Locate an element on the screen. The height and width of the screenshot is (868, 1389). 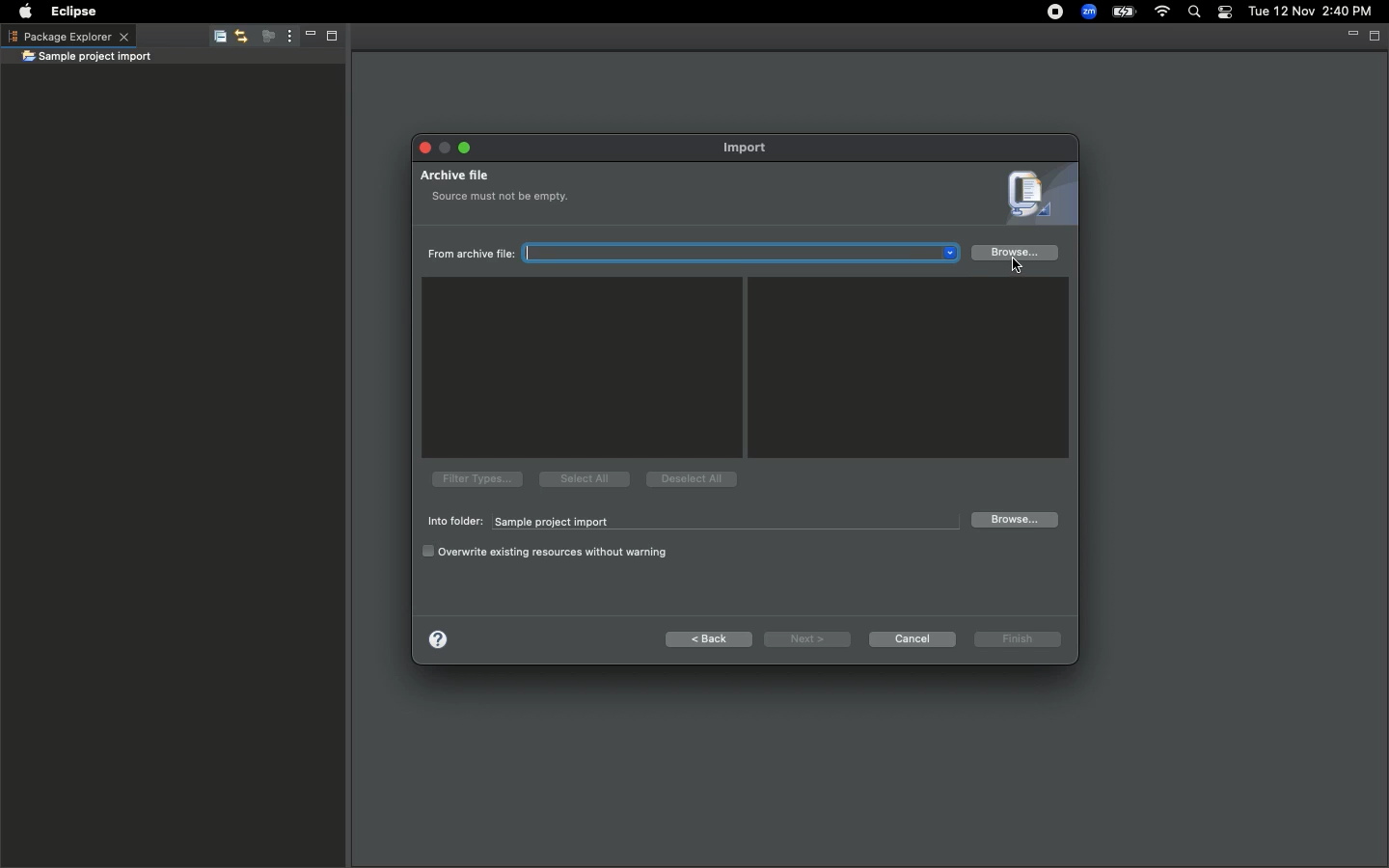
Eclipse is located at coordinates (76, 12).